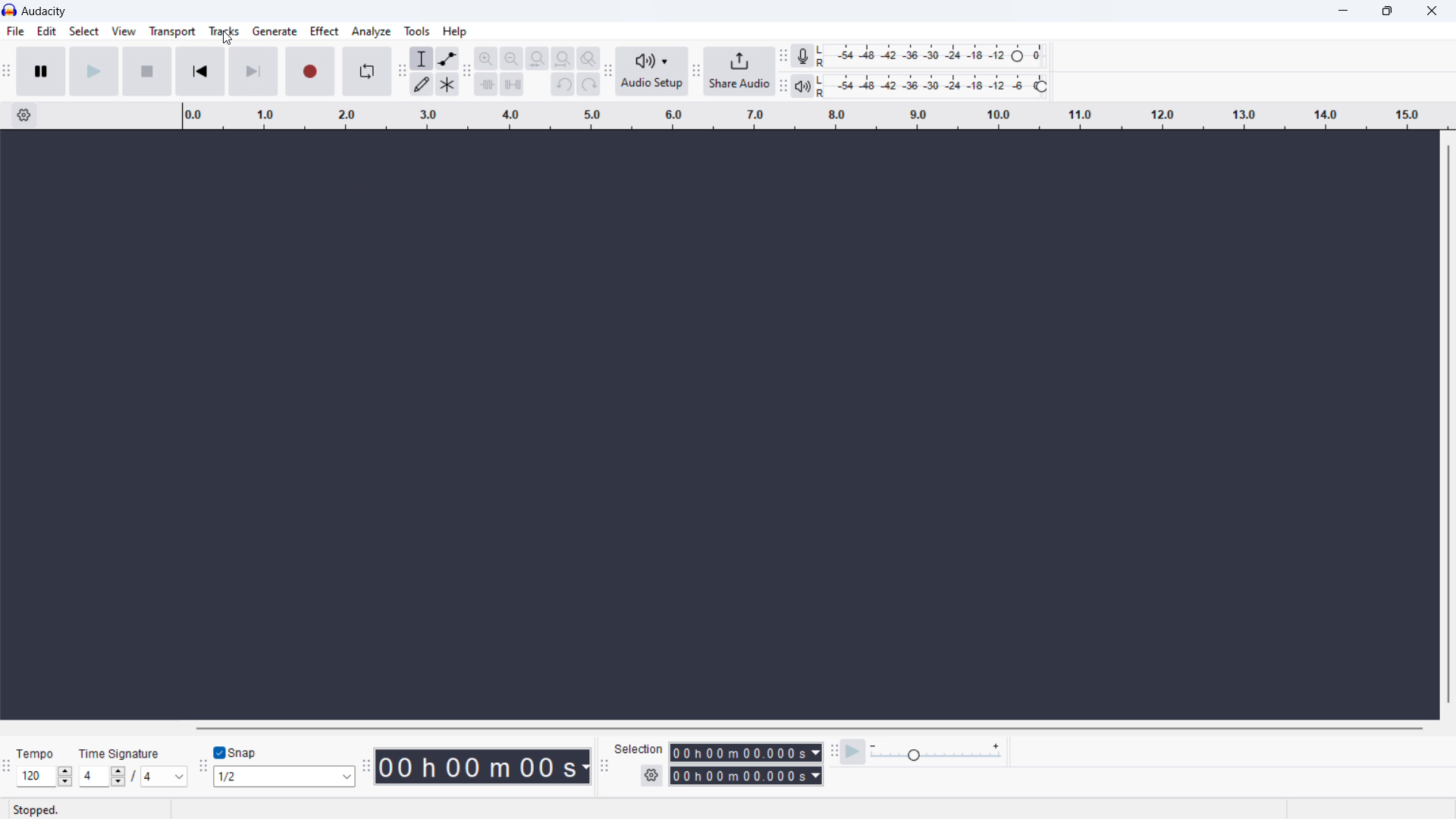 The width and height of the screenshot is (1456, 819). Describe the element at coordinates (417, 31) in the screenshot. I see `tools` at that location.